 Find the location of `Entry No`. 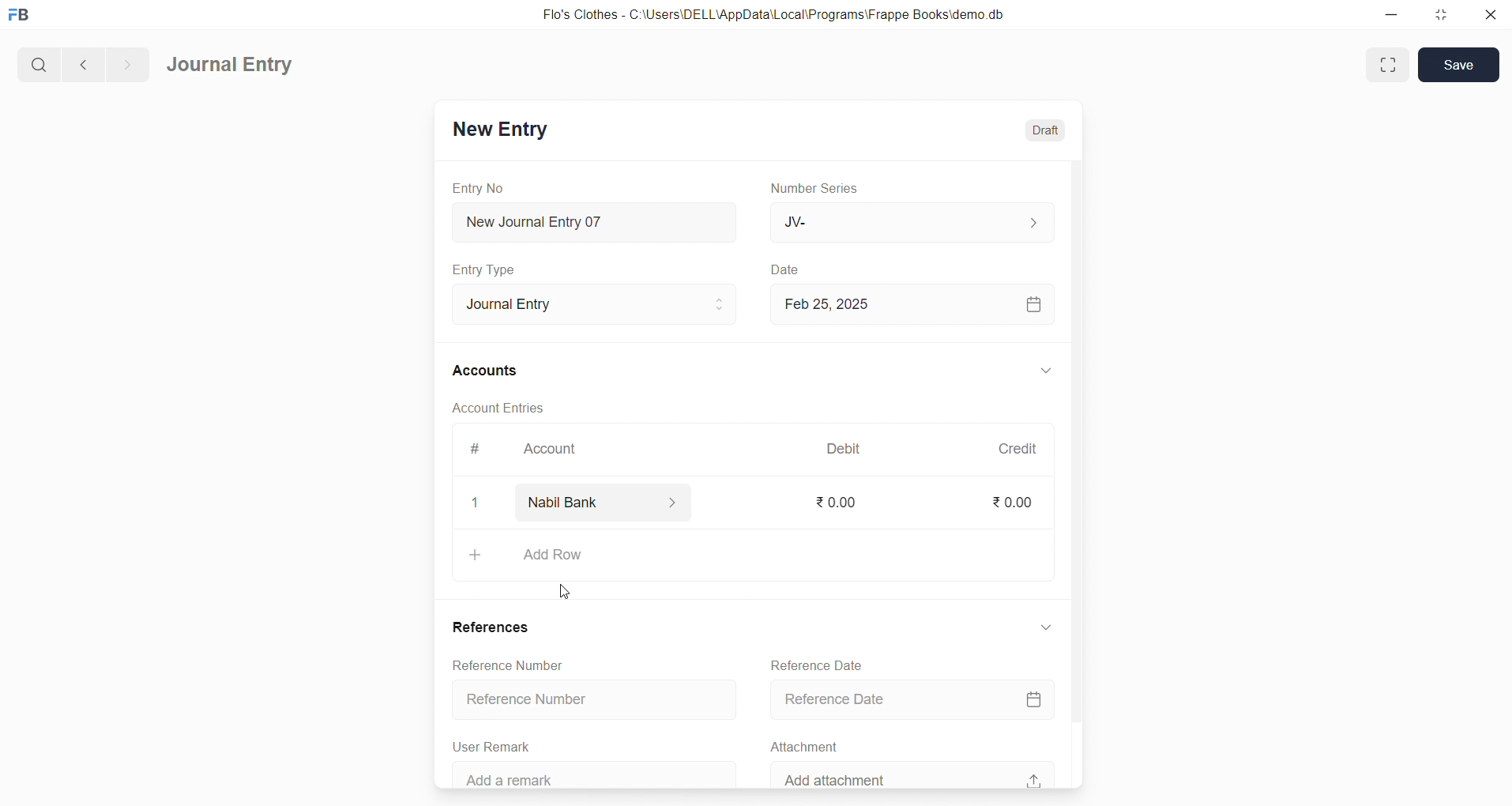

Entry No is located at coordinates (479, 187).